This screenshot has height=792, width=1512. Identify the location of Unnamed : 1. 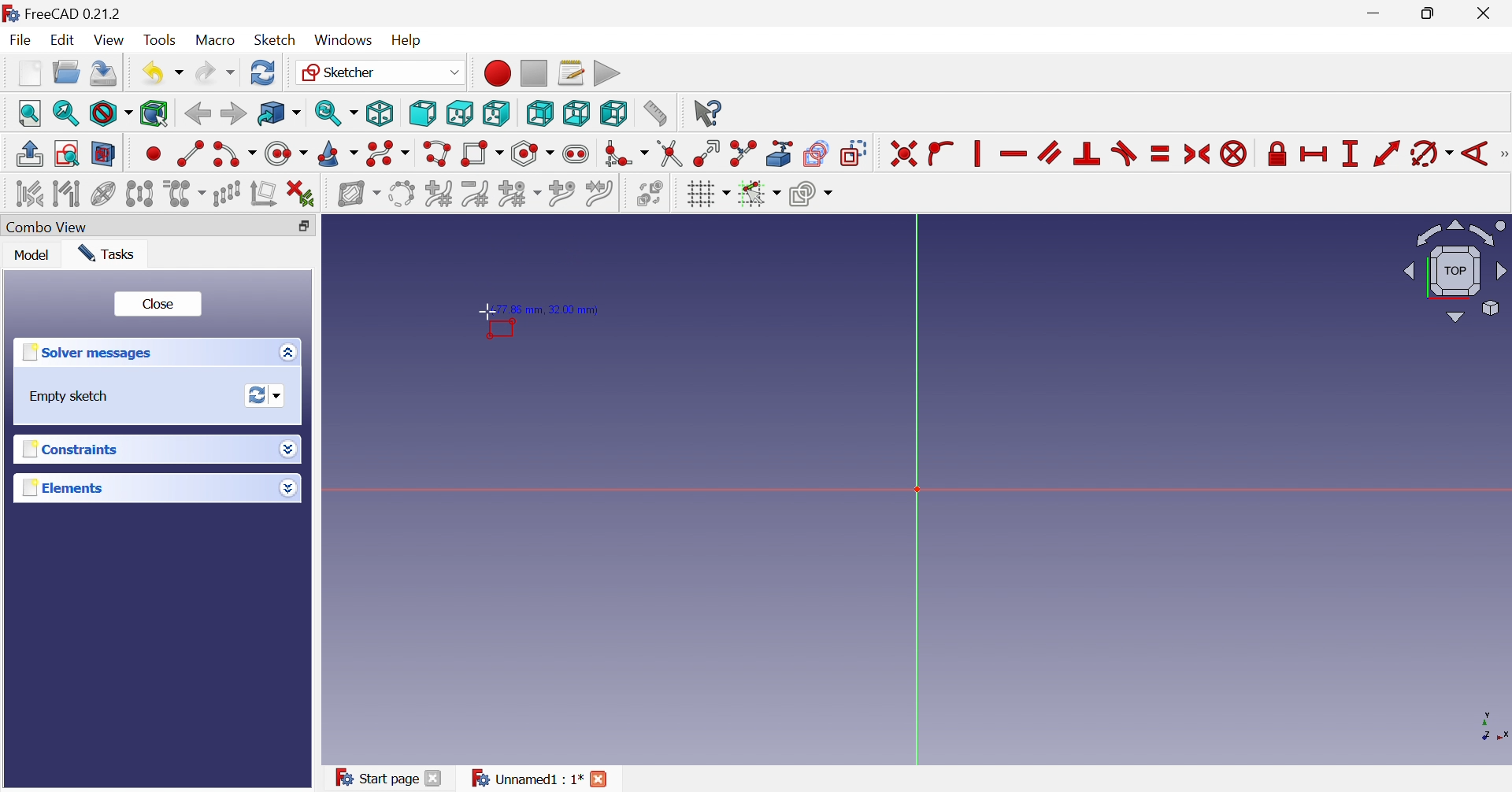
(524, 779).